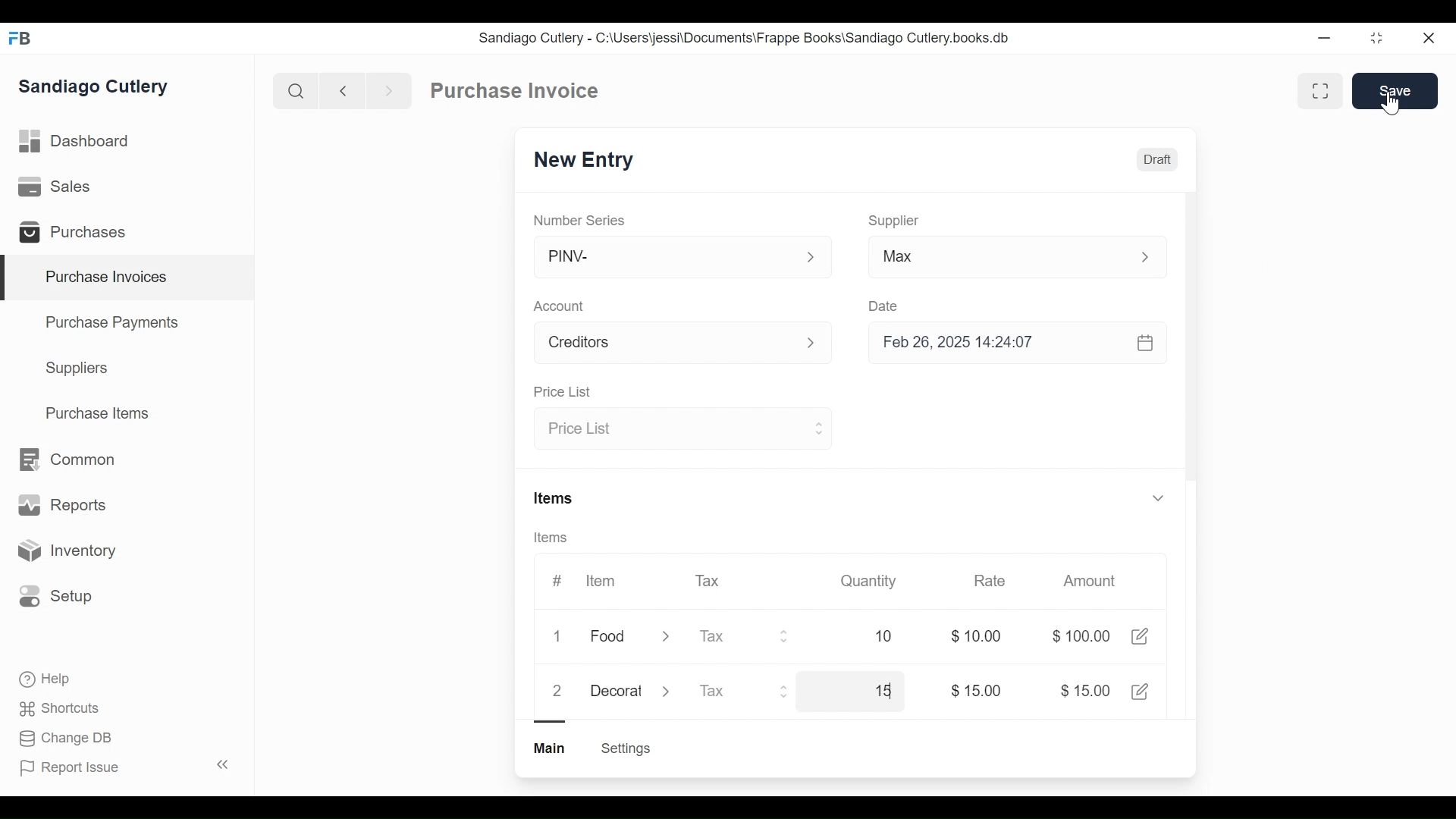  What do you see at coordinates (516, 91) in the screenshot?
I see `Purchase Invoice` at bounding box center [516, 91].